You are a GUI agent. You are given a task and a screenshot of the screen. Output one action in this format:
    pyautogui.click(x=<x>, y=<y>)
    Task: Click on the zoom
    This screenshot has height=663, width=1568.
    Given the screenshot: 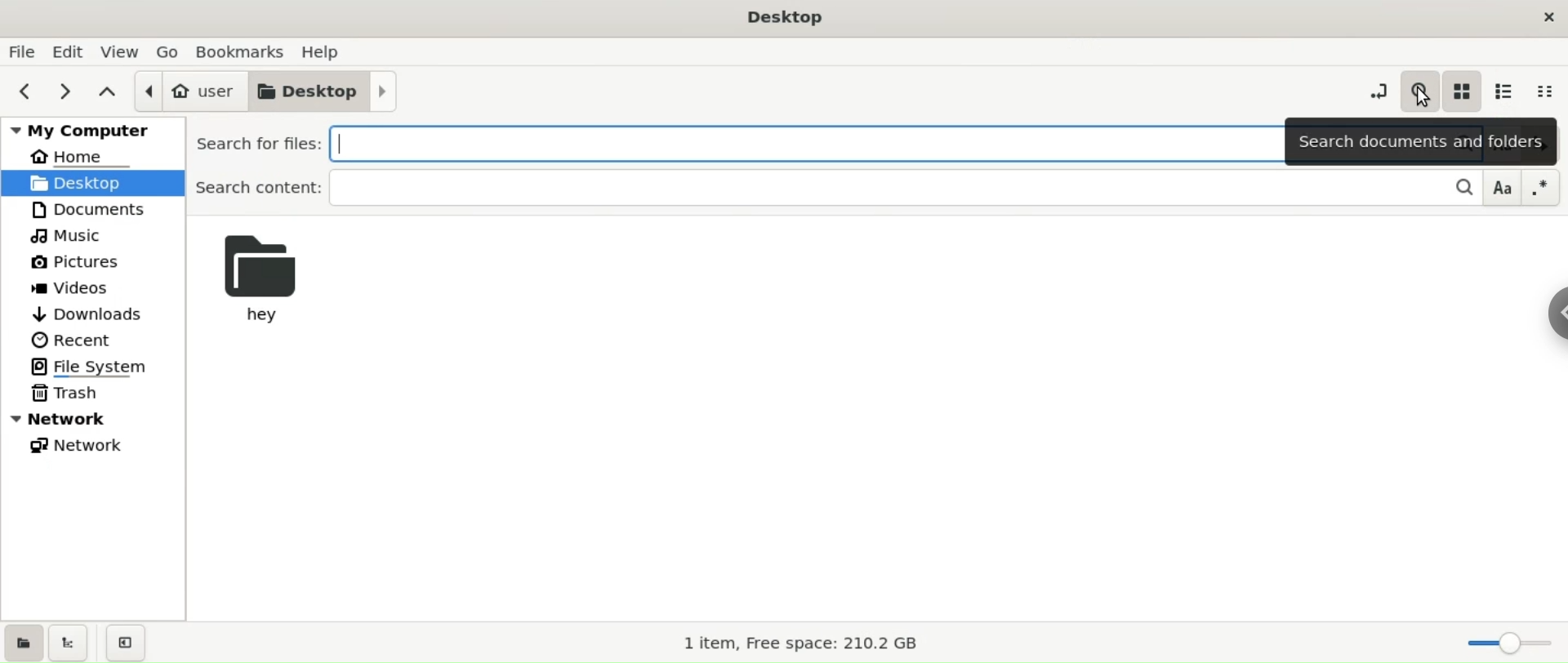 What is the action you would take?
    pyautogui.click(x=1512, y=644)
    